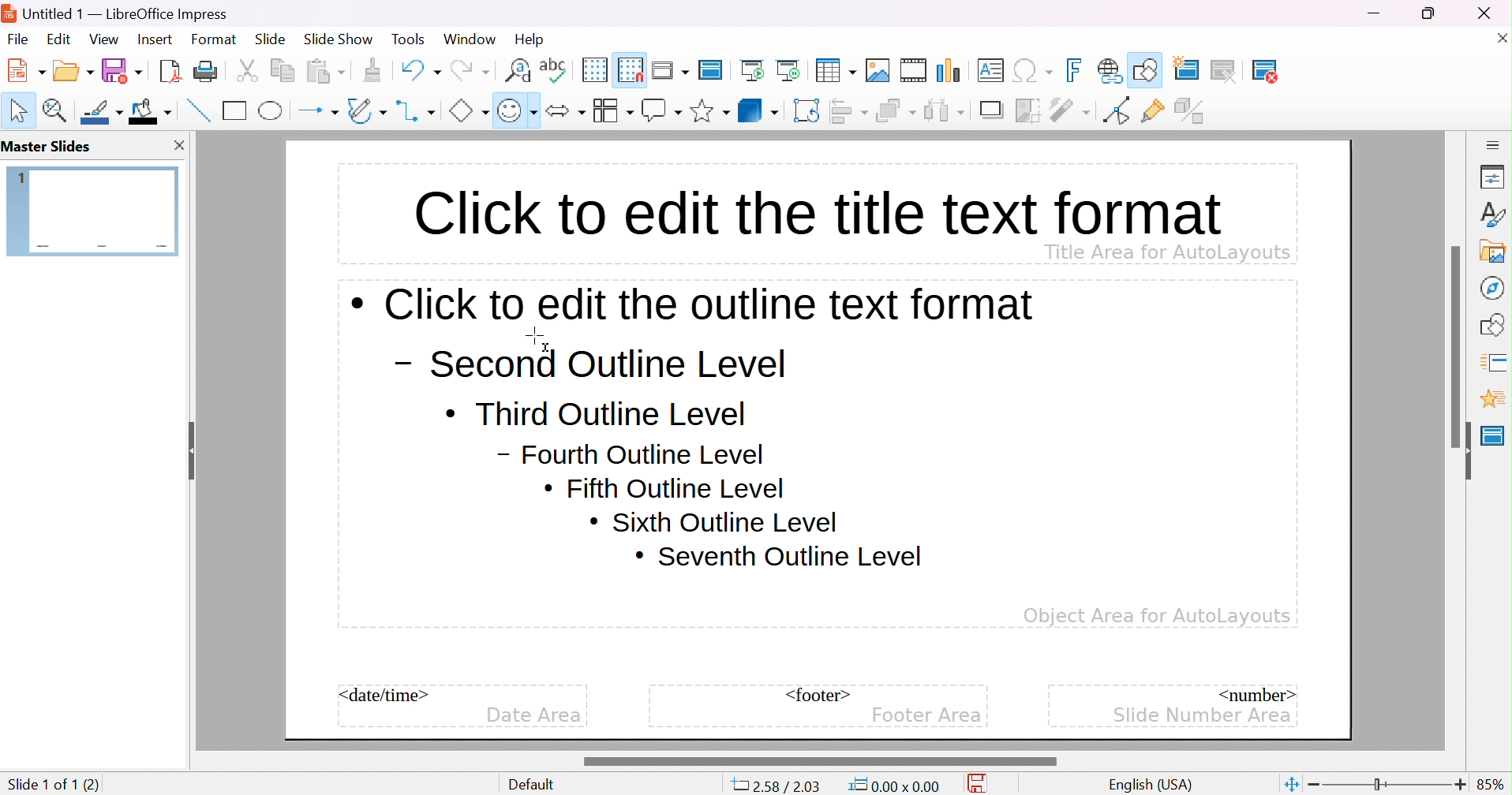  I want to click on navigation, so click(1491, 287).